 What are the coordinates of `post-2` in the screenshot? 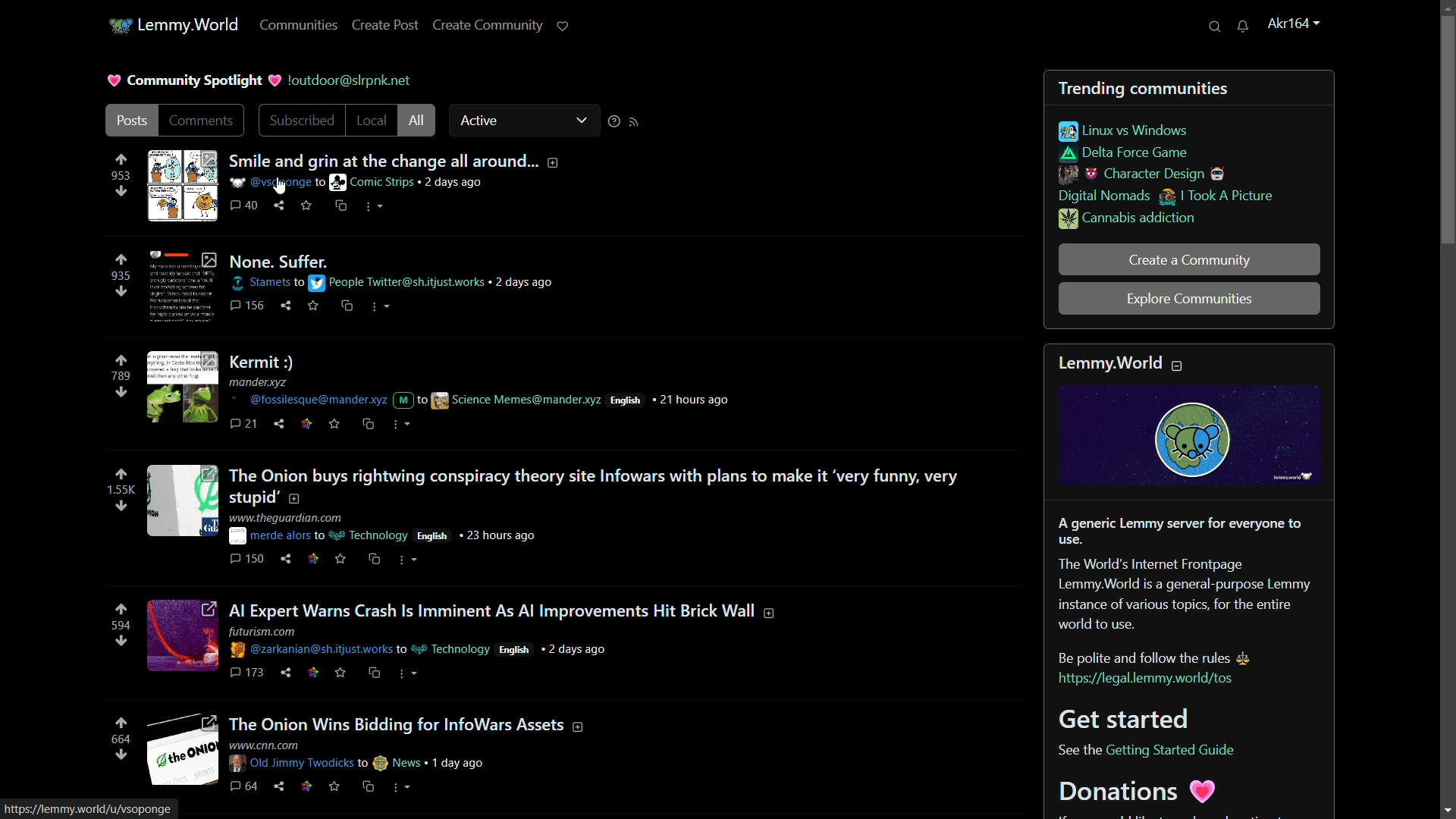 It's located at (275, 260).